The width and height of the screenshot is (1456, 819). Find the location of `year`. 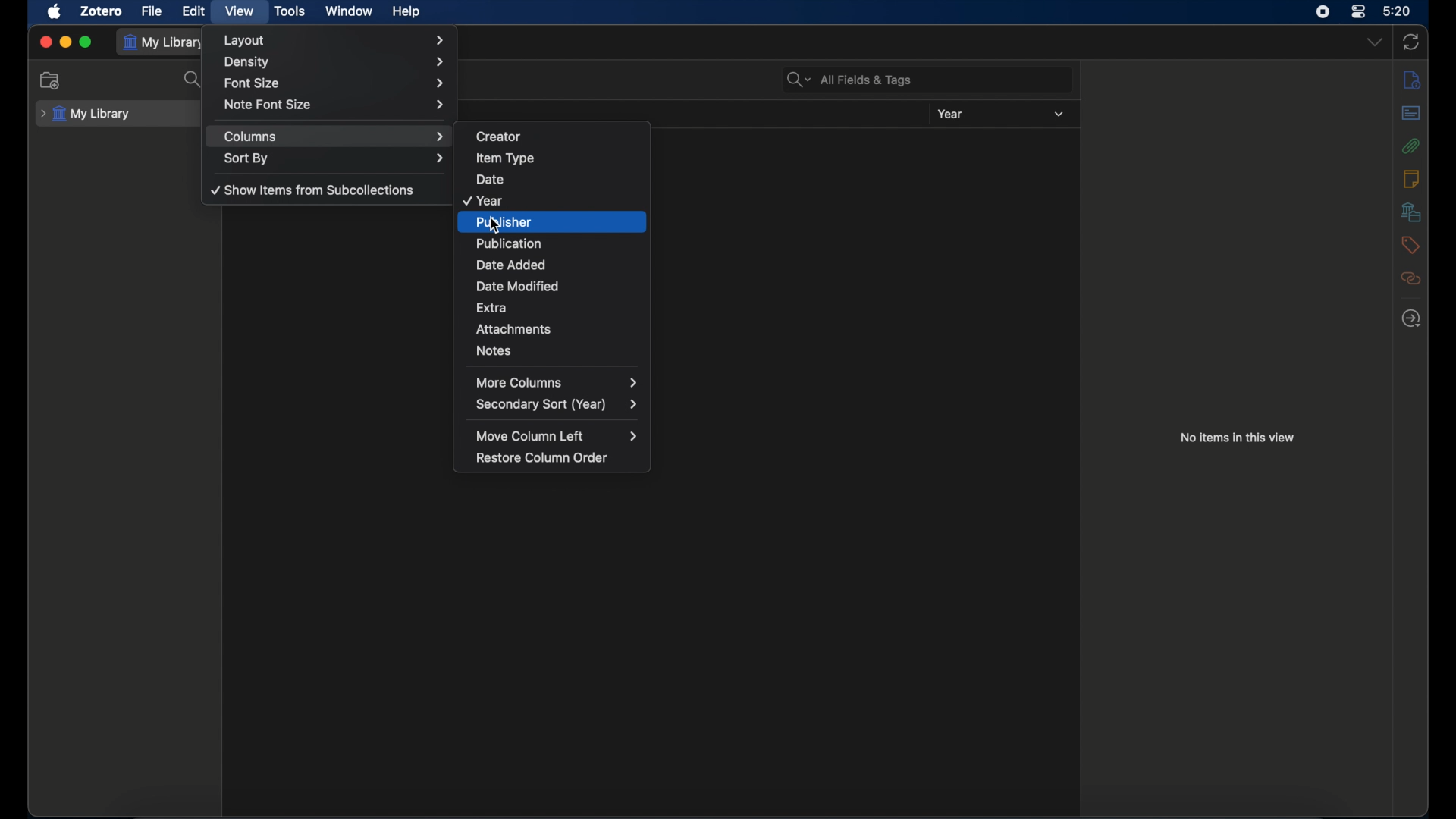

year is located at coordinates (950, 114).